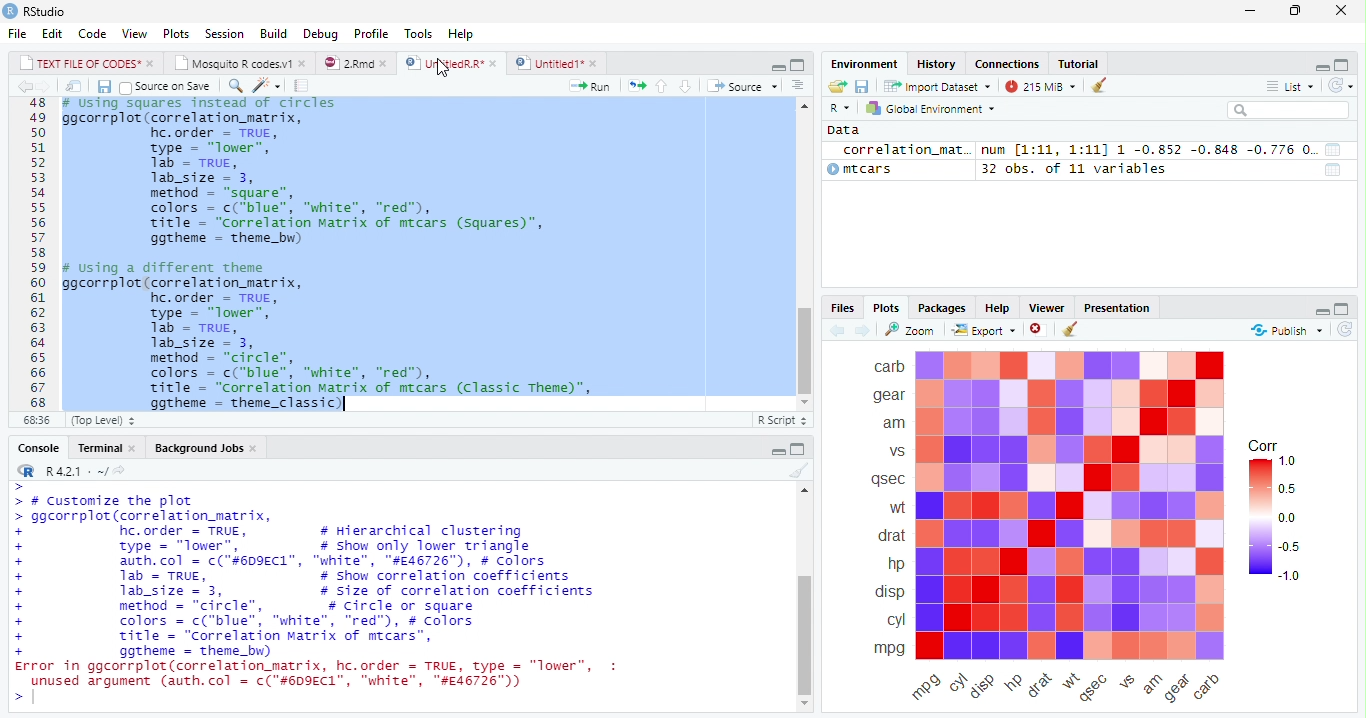 Image resolution: width=1366 pixels, height=718 pixels. I want to click on 32 obs. of 11 variables, so click(1080, 171).